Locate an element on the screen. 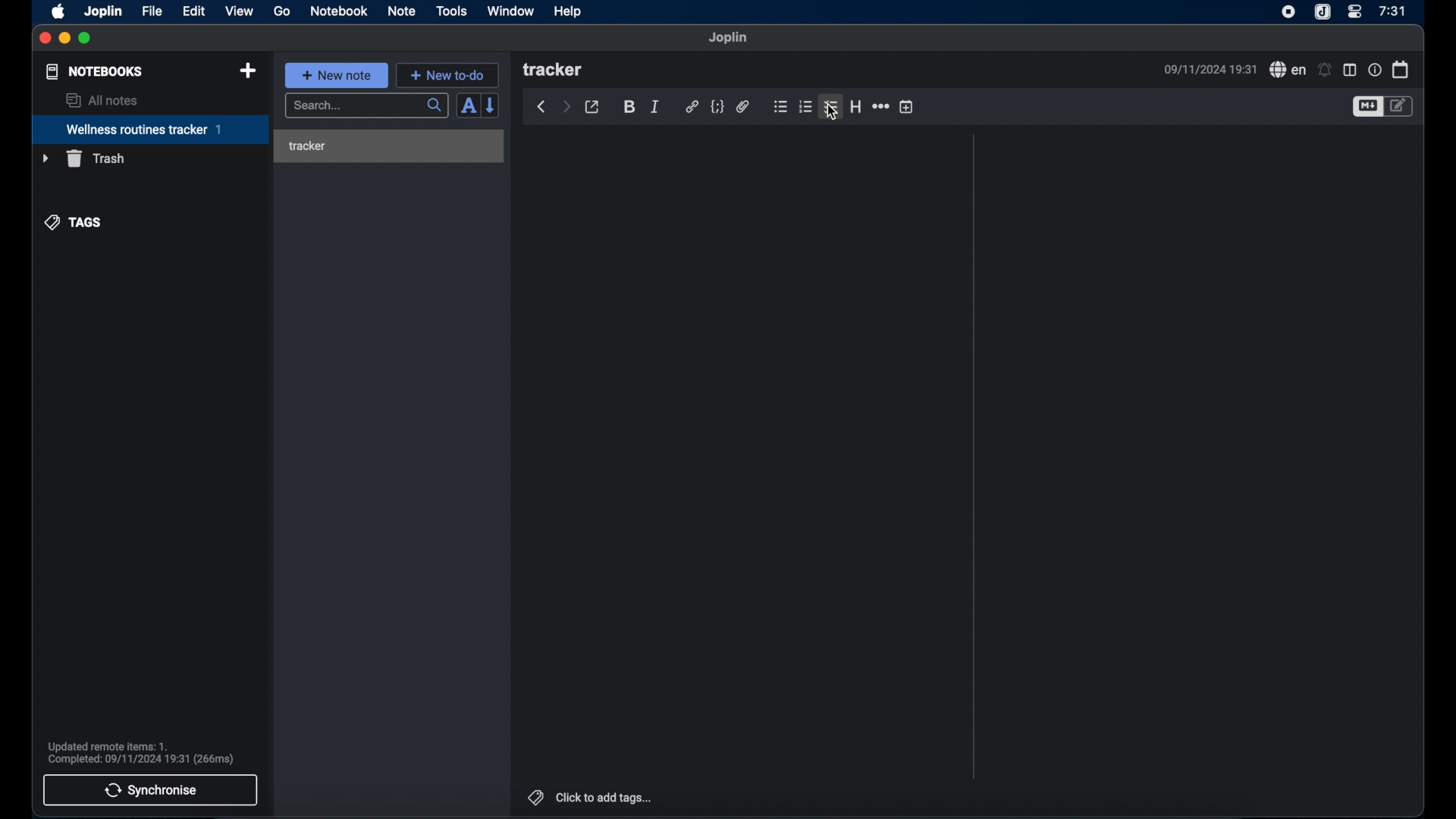  code is located at coordinates (717, 107).